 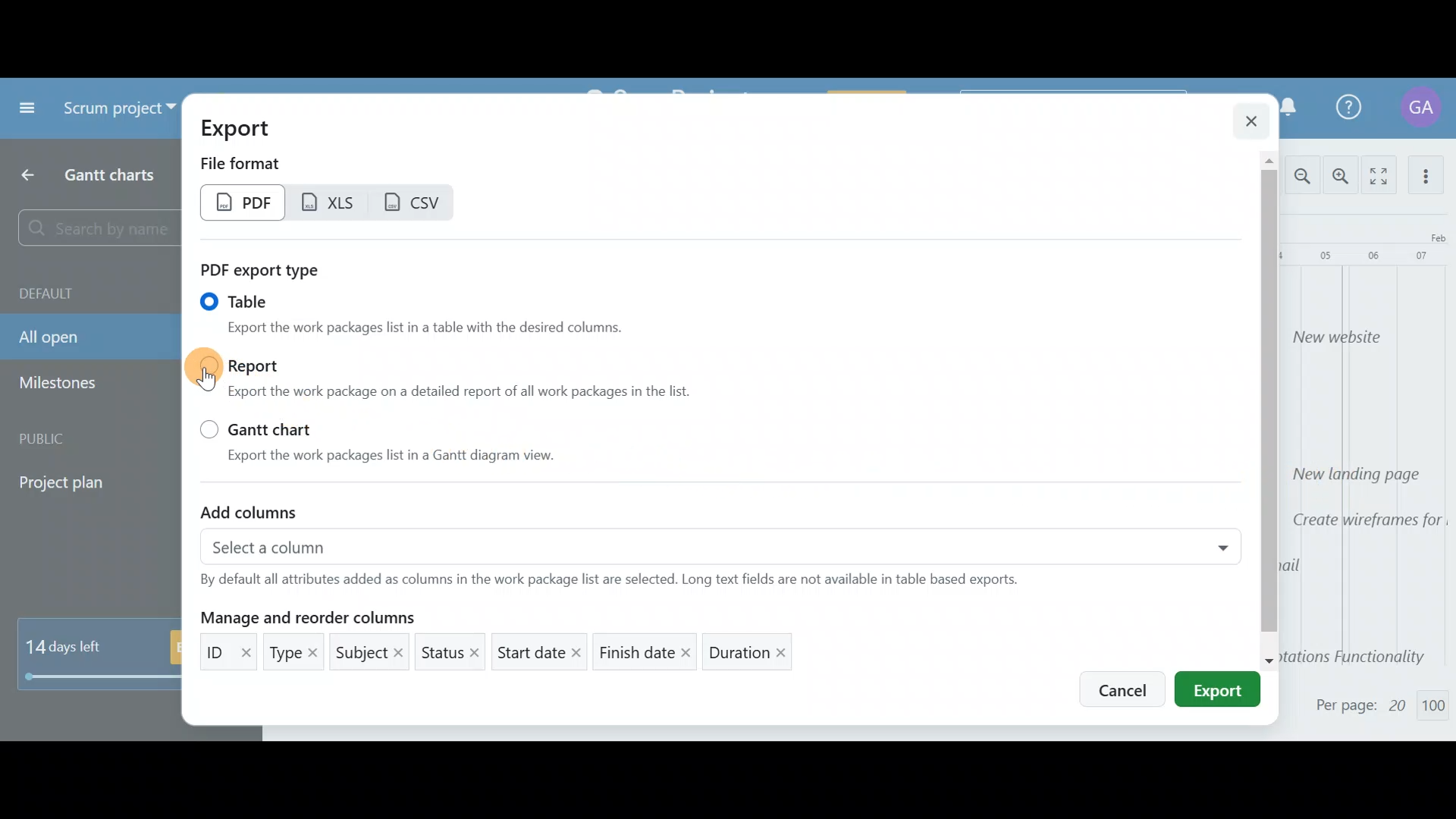 I want to click on Status, so click(x=450, y=650).